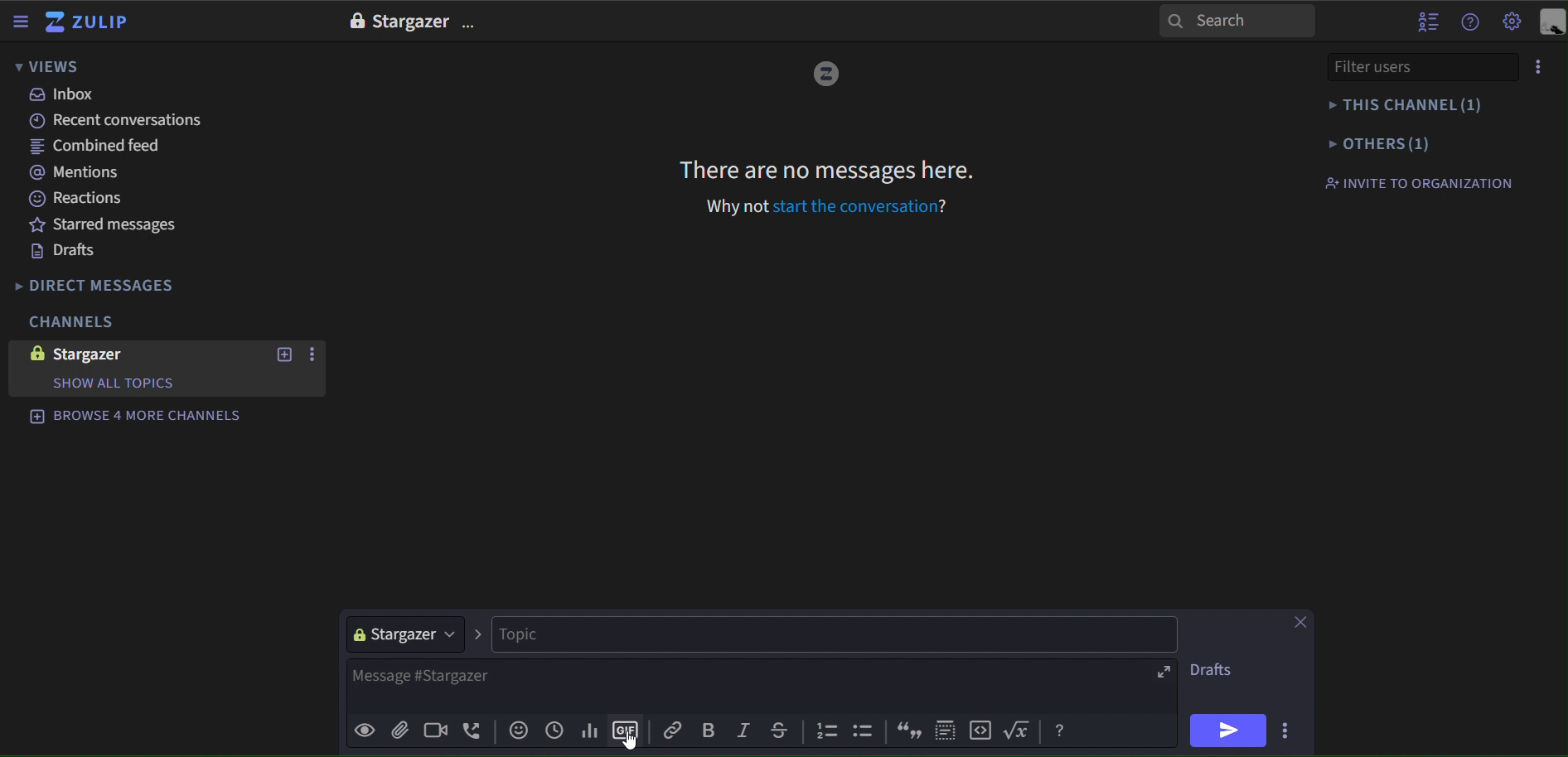 The image size is (1568, 757). What do you see at coordinates (432, 731) in the screenshot?
I see `add video call` at bounding box center [432, 731].